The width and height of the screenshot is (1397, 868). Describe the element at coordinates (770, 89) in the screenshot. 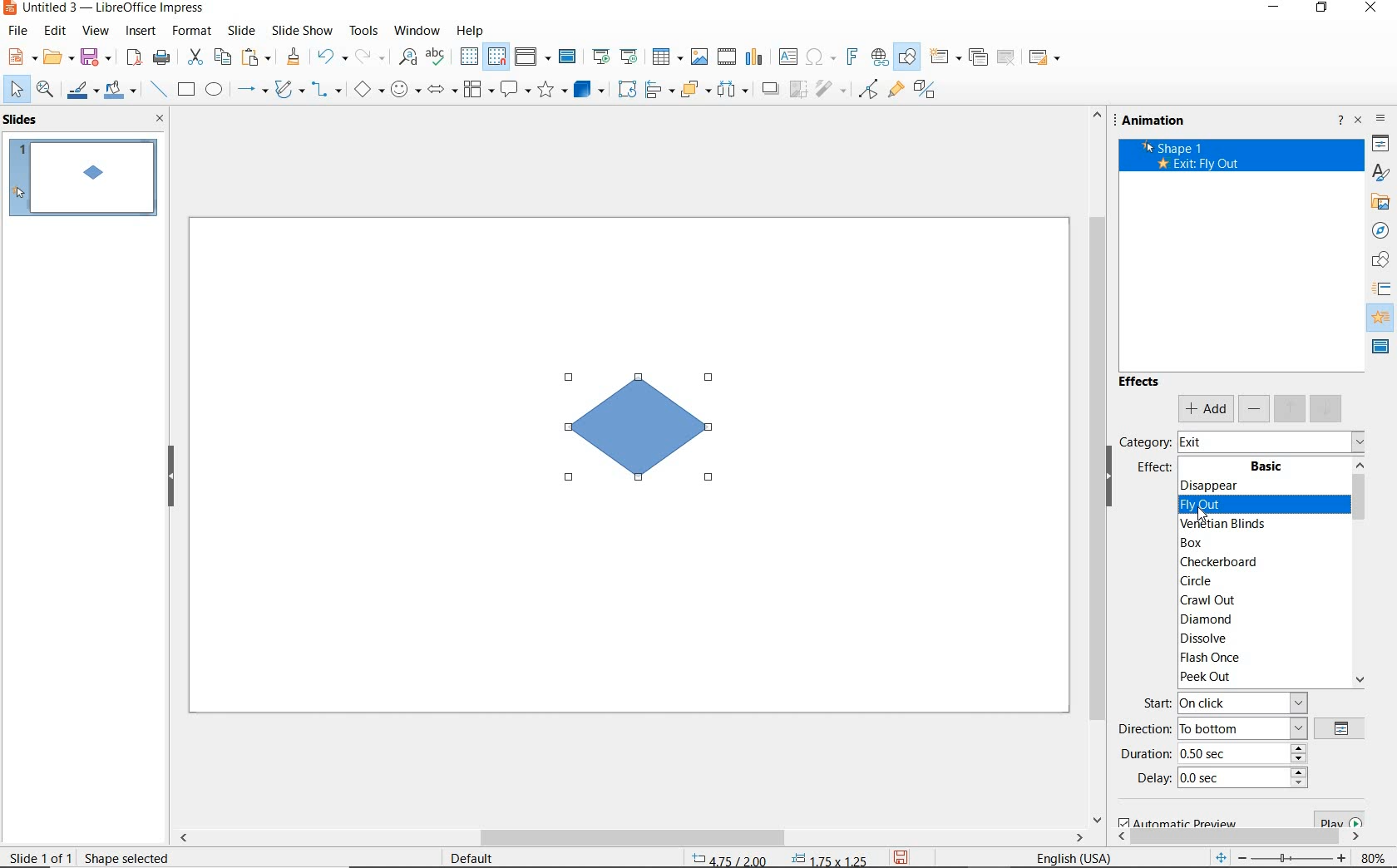

I see `shadow` at that location.